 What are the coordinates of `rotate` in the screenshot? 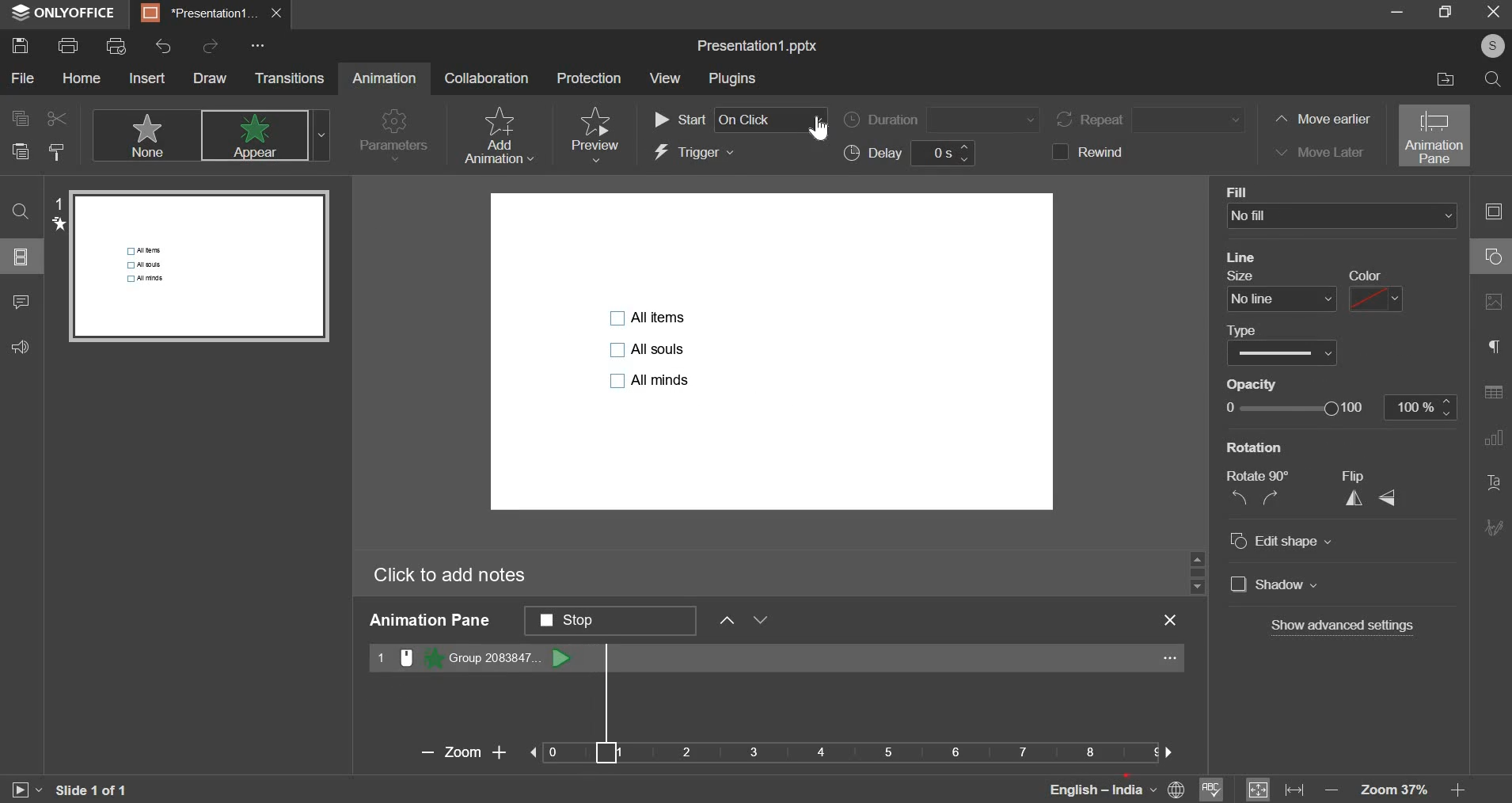 It's located at (1256, 497).